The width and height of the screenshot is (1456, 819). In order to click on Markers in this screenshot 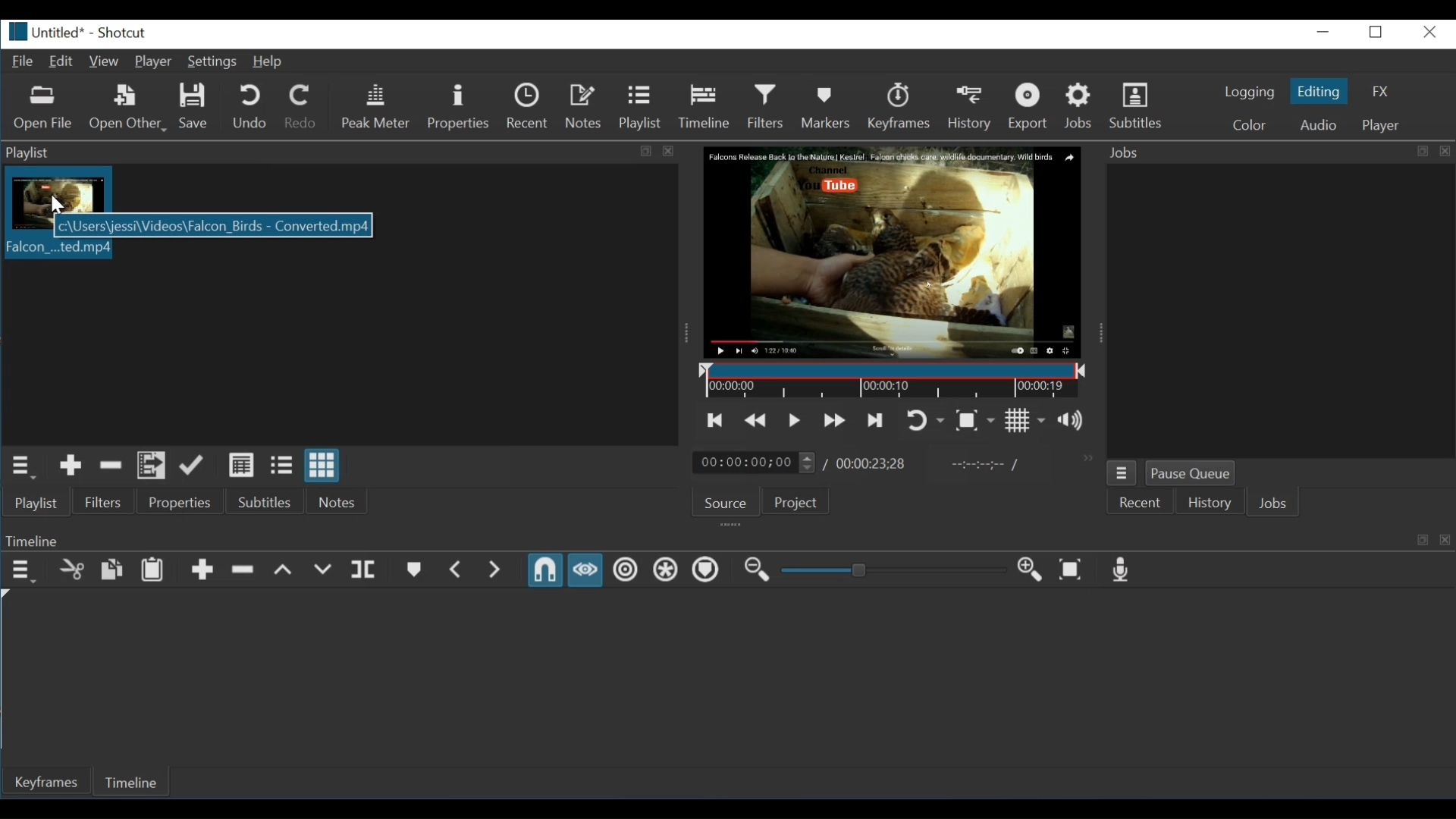, I will do `click(827, 106)`.